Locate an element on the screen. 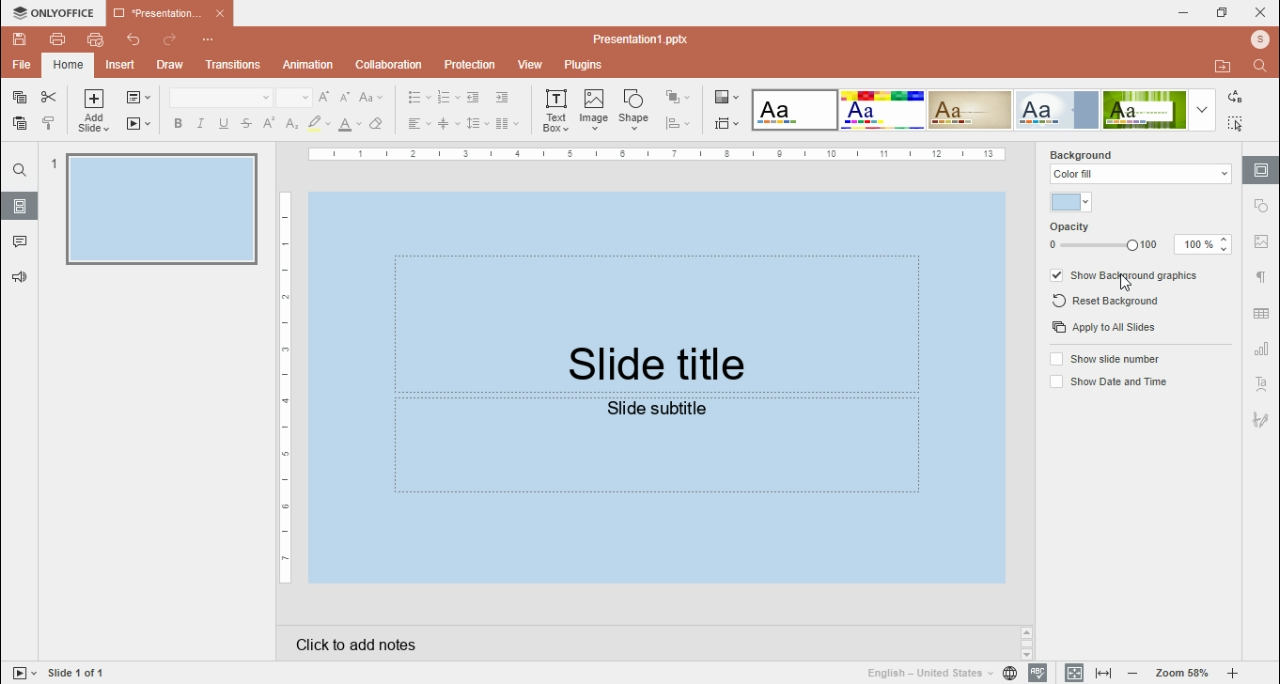 This screenshot has height=684, width=1280. font size is located at coordinates (294, 97).